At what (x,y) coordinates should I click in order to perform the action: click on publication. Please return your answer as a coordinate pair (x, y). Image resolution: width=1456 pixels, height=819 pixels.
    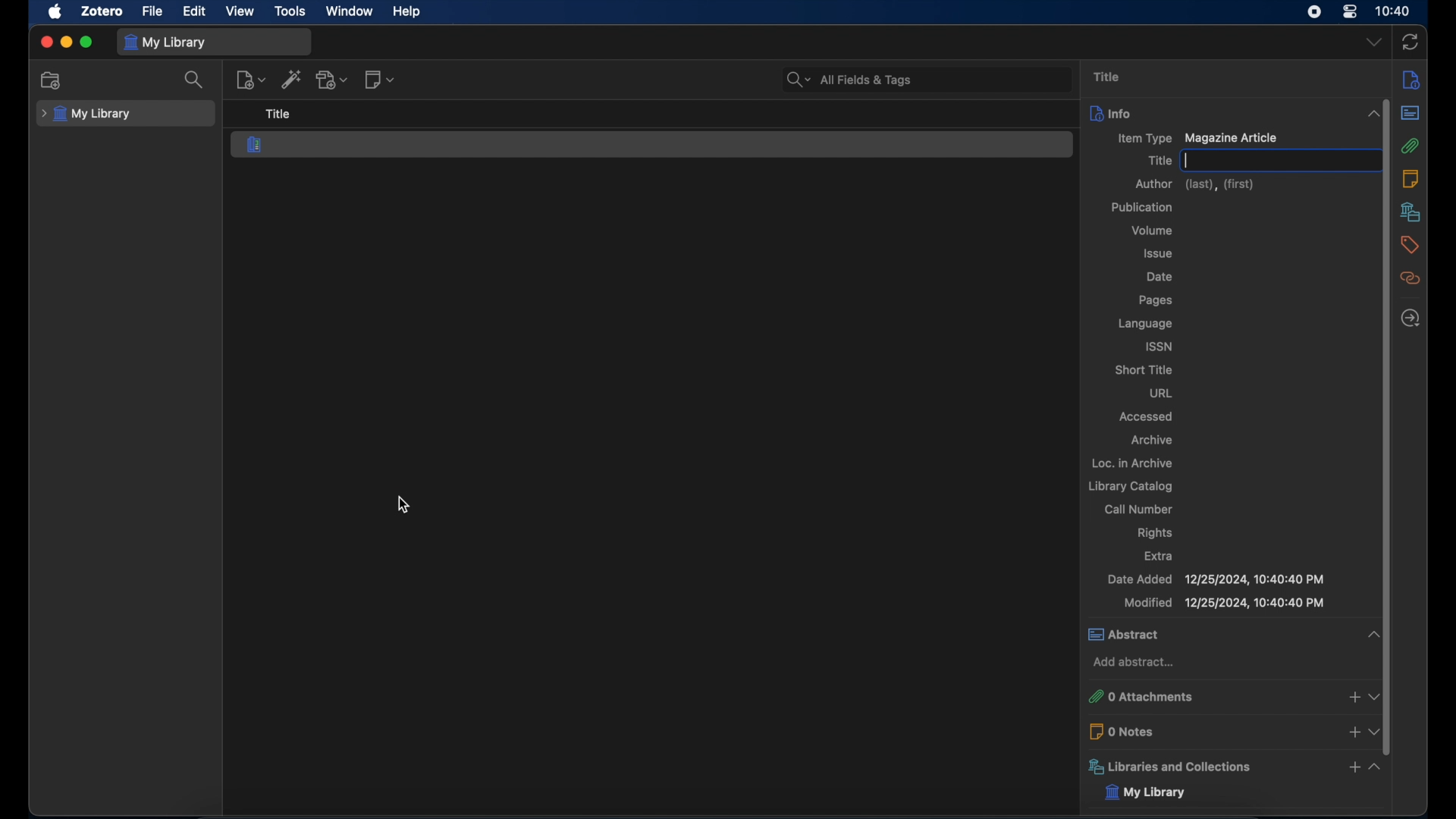
    Looking at the image, I should click on (1143, 207).